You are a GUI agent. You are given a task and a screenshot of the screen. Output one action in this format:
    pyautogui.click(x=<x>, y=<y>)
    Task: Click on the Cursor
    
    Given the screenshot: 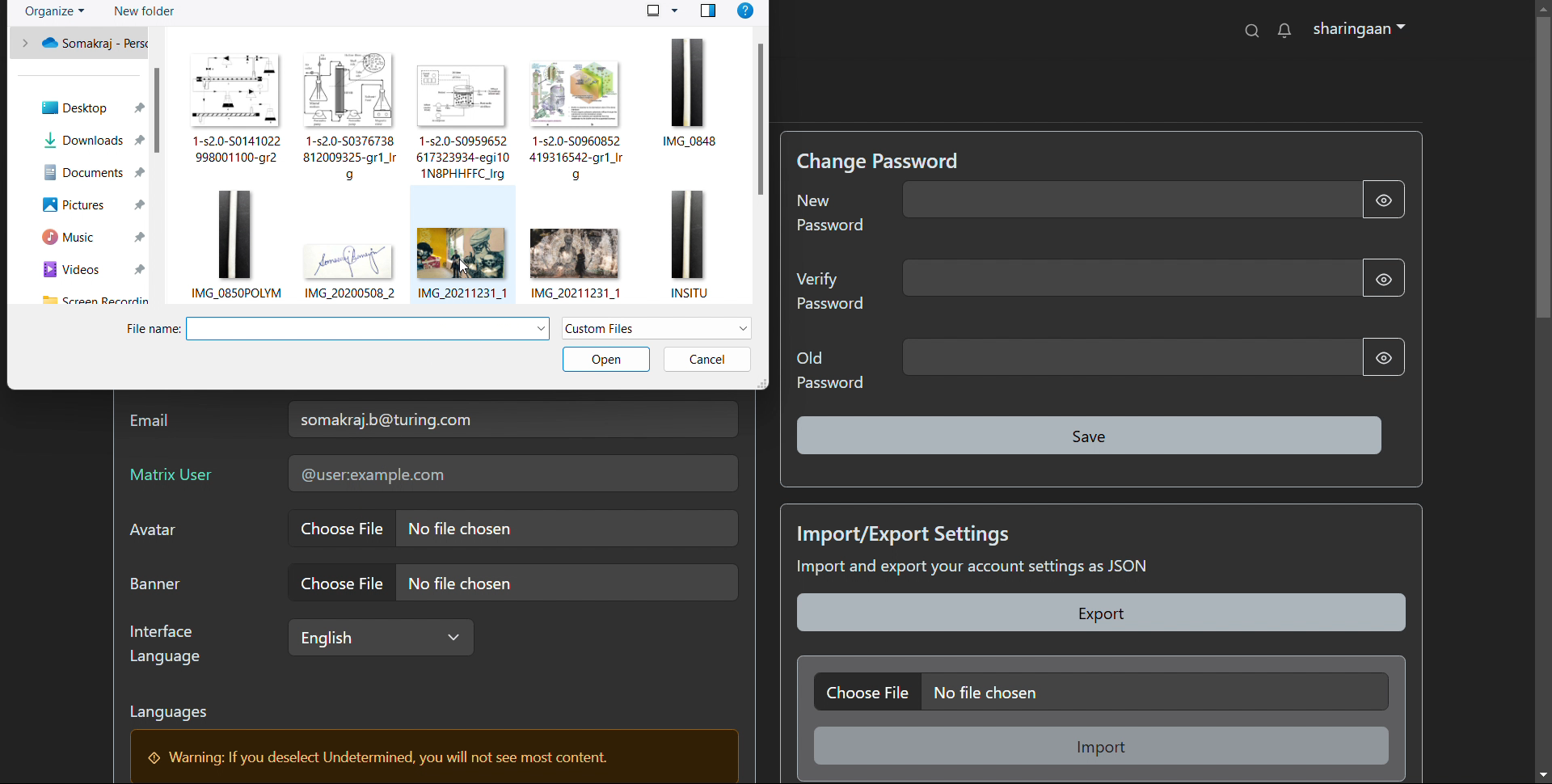 What is the action you would take?
    pyautogui.click(x=340, y=533)
    